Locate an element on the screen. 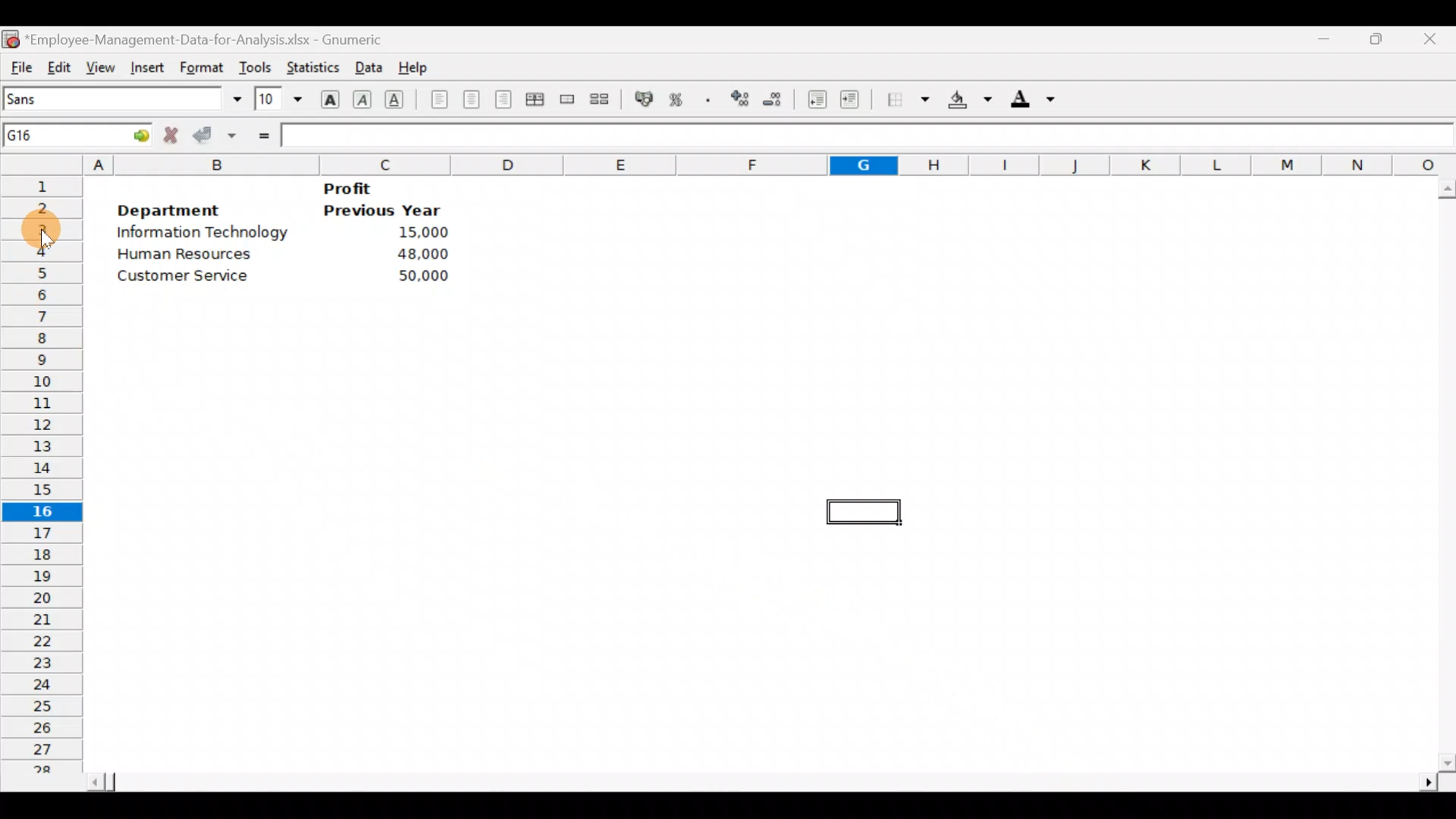  Enter formula is located at coordinates (262, 134).